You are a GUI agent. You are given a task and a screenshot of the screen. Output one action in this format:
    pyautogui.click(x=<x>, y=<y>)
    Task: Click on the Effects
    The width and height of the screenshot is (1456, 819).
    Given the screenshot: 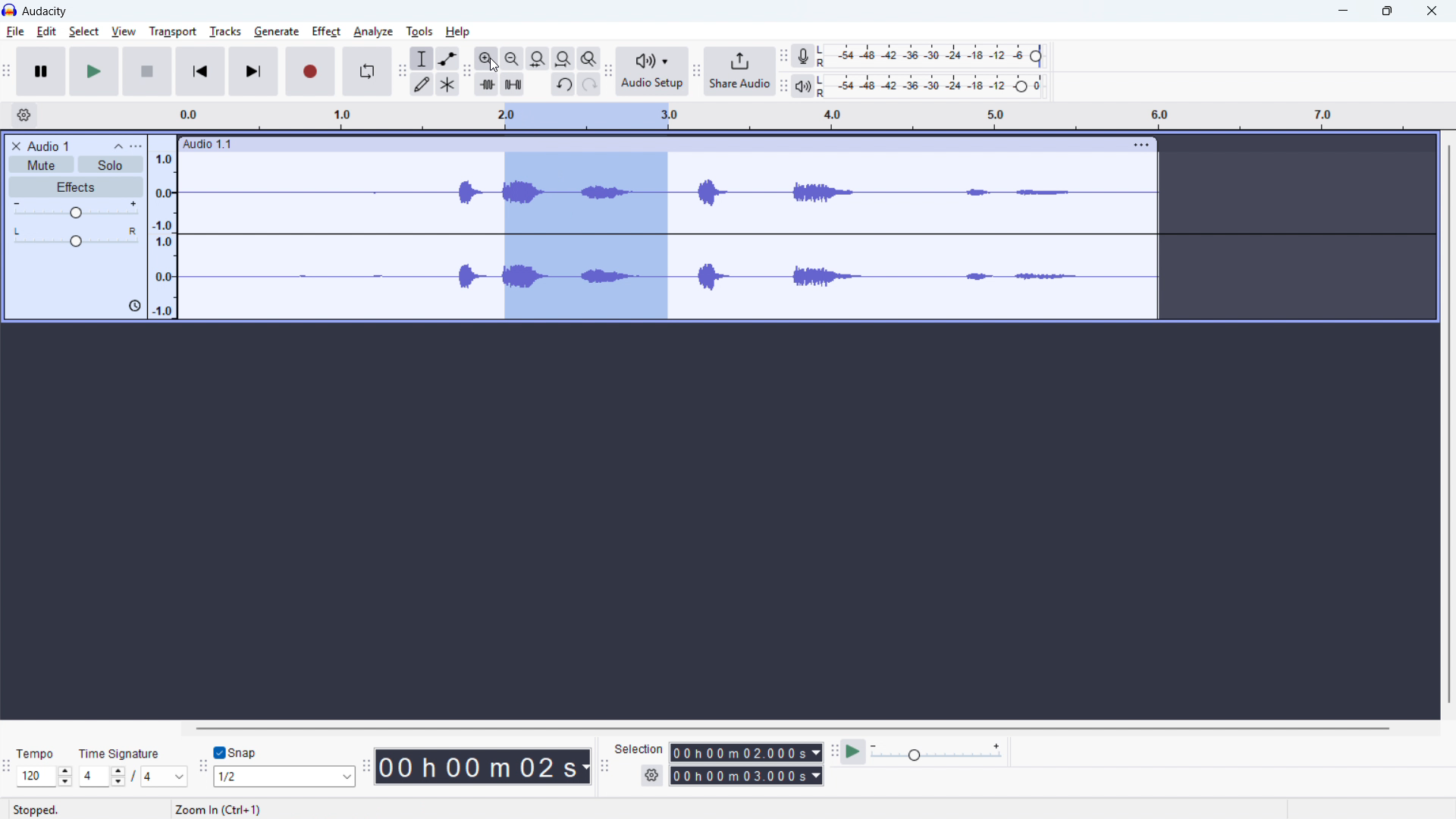 What is the action you would take?
    pyautogui.click(x=76, y=187)
    